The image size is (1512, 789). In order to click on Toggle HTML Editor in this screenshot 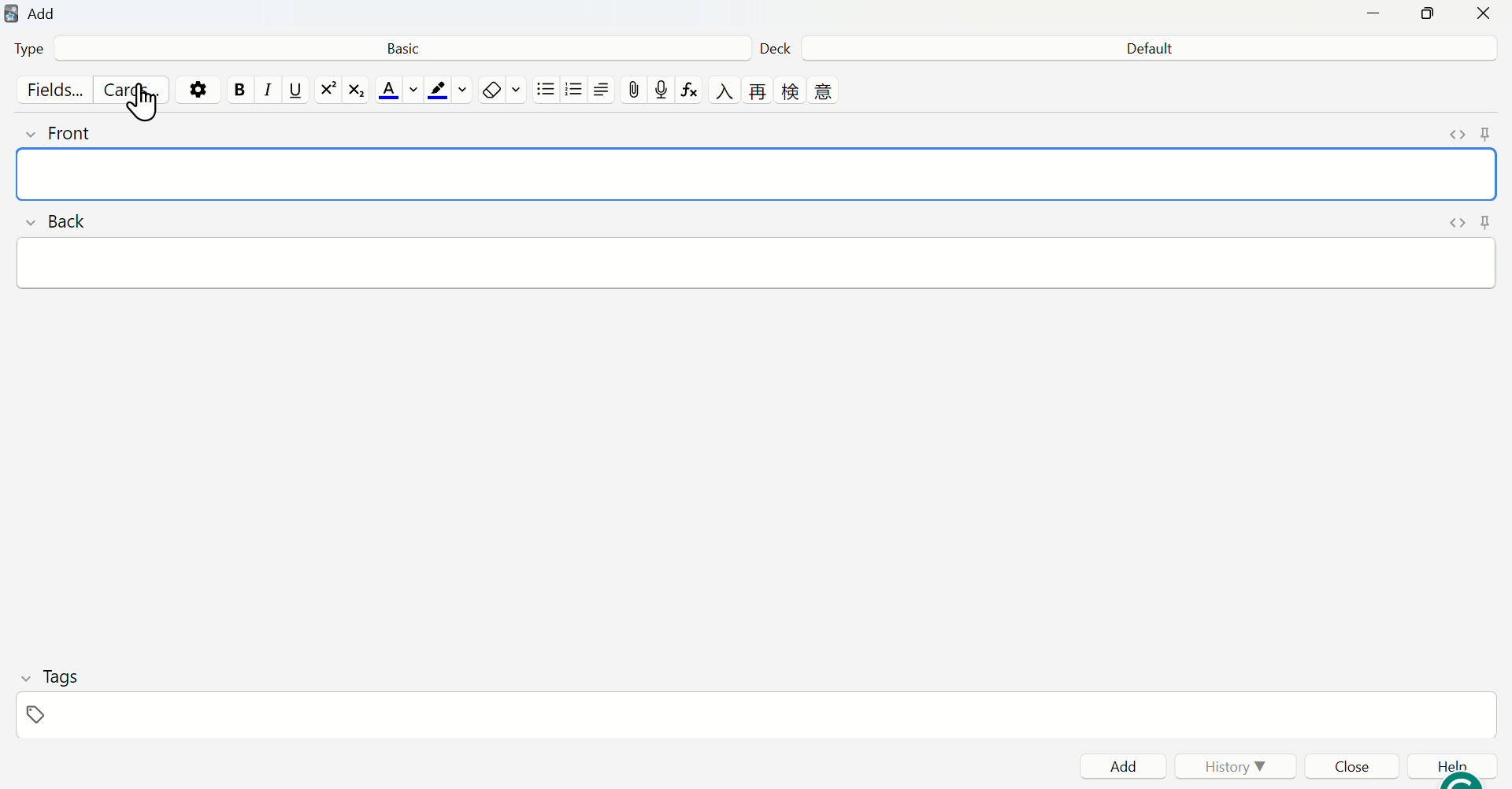, I will do `click(1458, 221)`.